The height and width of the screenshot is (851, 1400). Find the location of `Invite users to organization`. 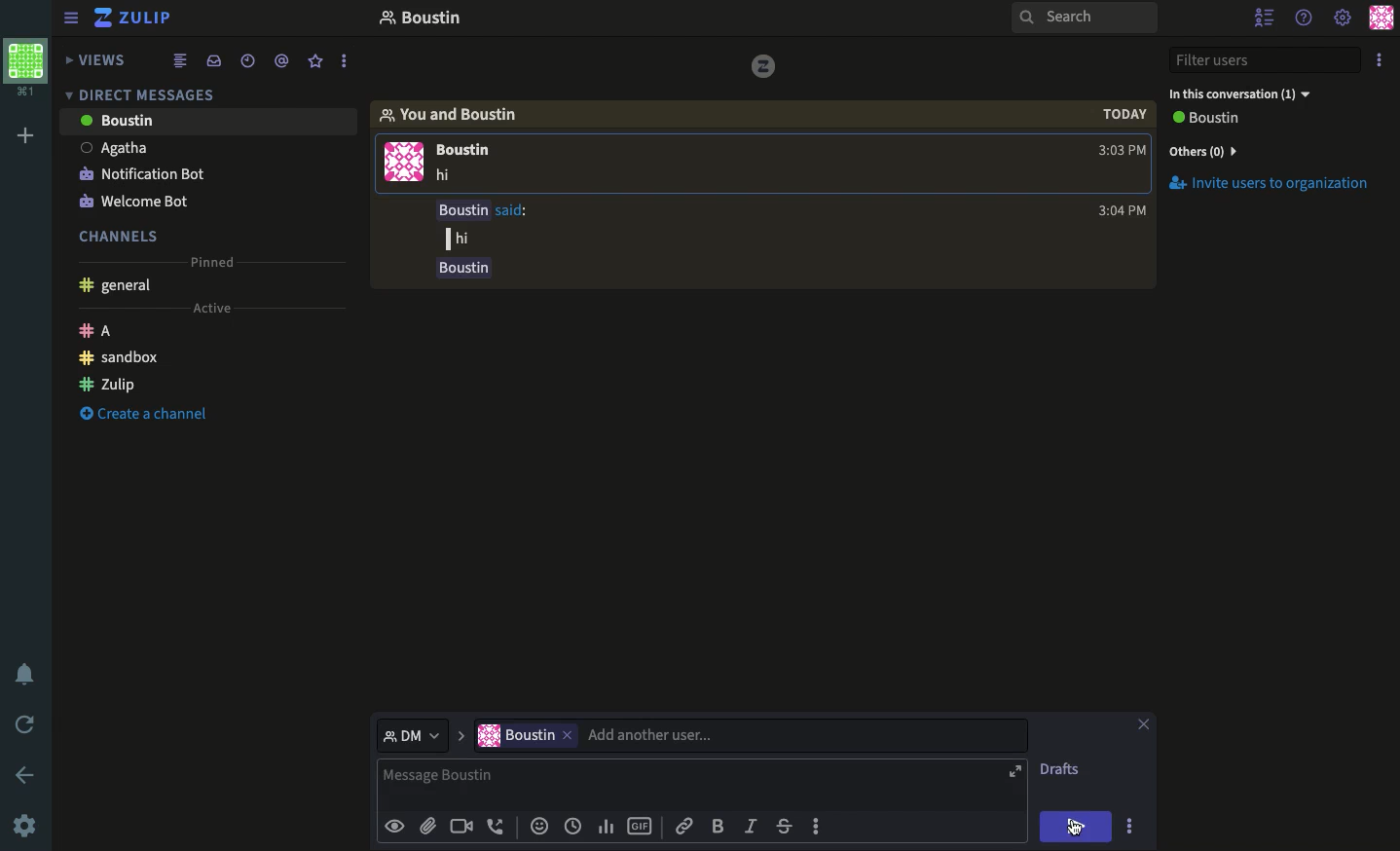

Invite users to organization is located at coordinates (1278, 185).